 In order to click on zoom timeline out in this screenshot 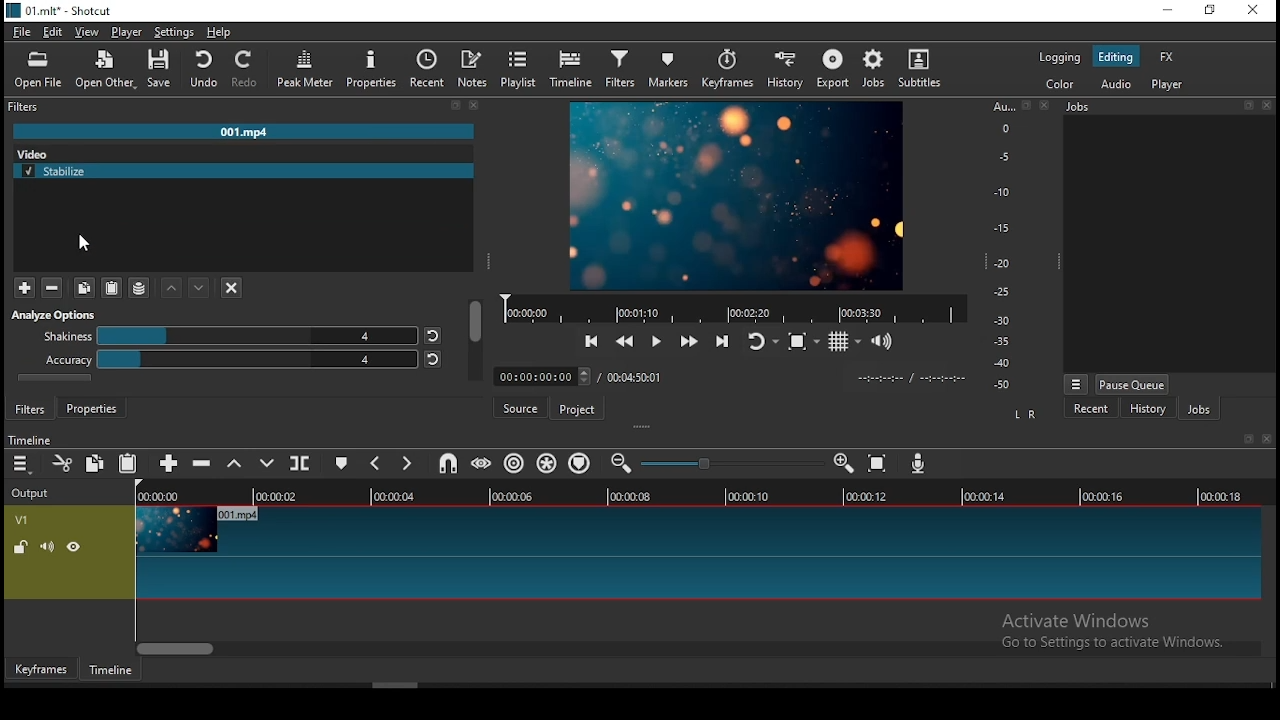, I will do `click(625, 464)`.